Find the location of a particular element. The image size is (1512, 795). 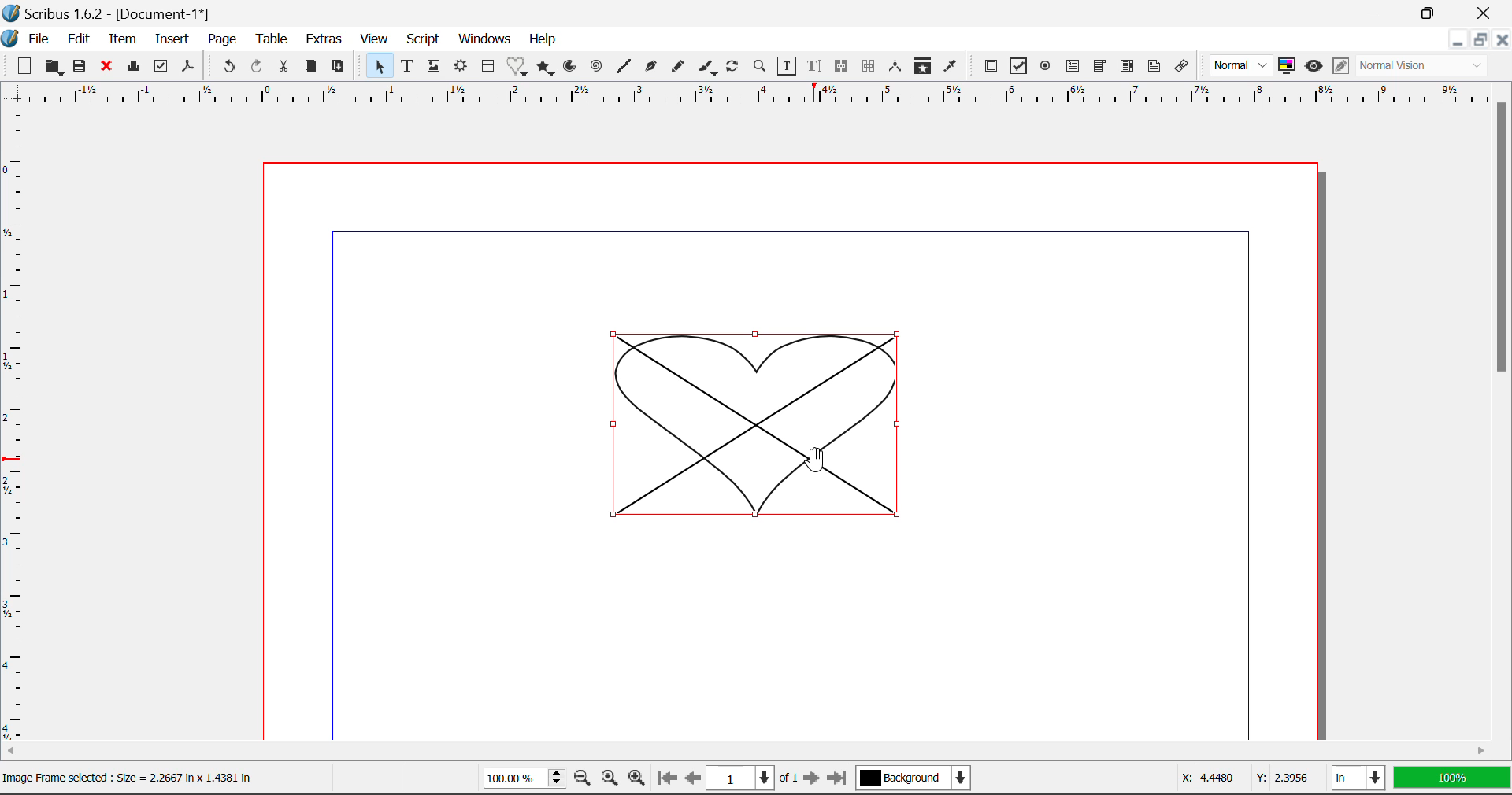

in is located at coordinates (1358, 778).